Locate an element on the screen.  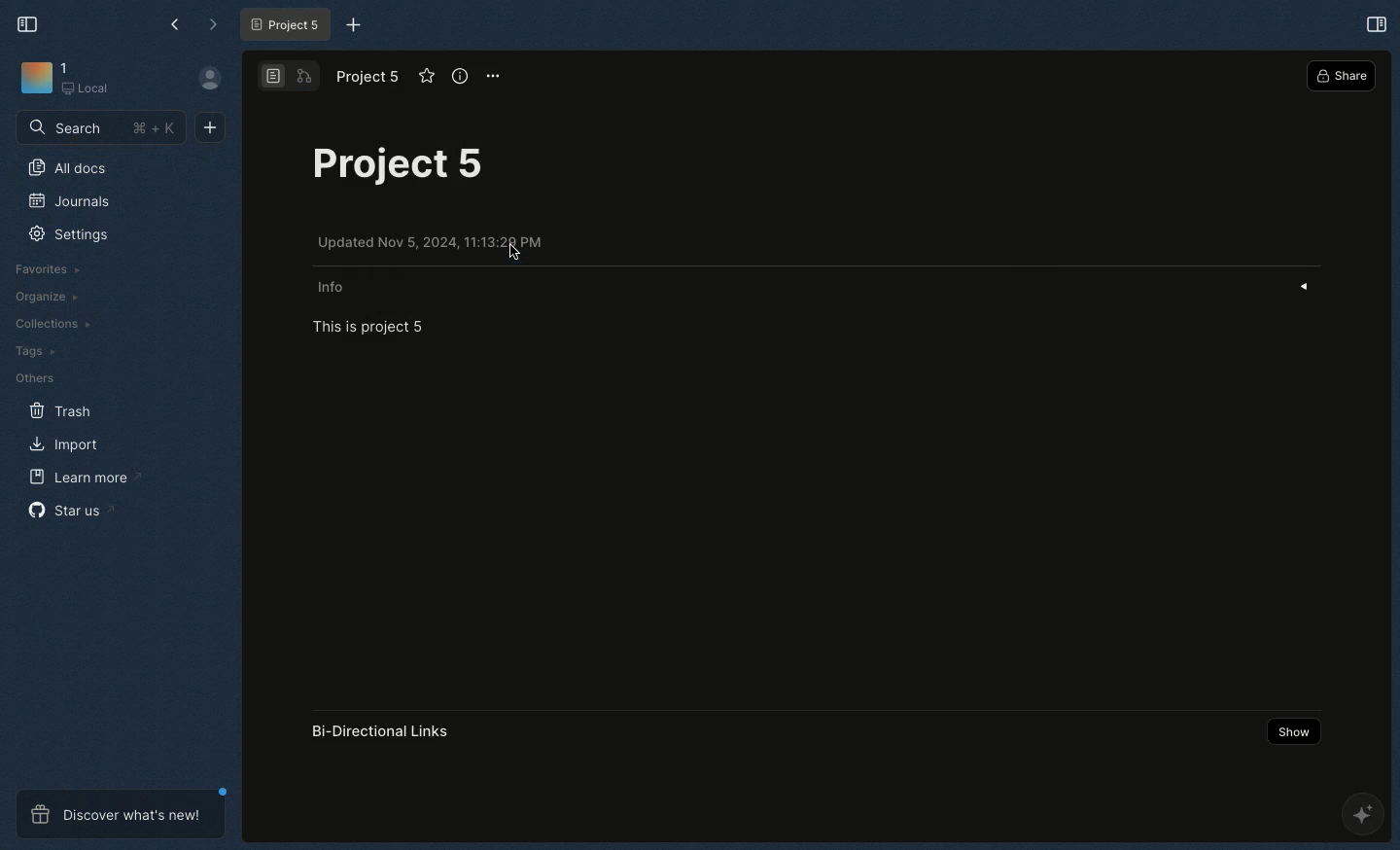
Star us is located at coordinates (65, 510).